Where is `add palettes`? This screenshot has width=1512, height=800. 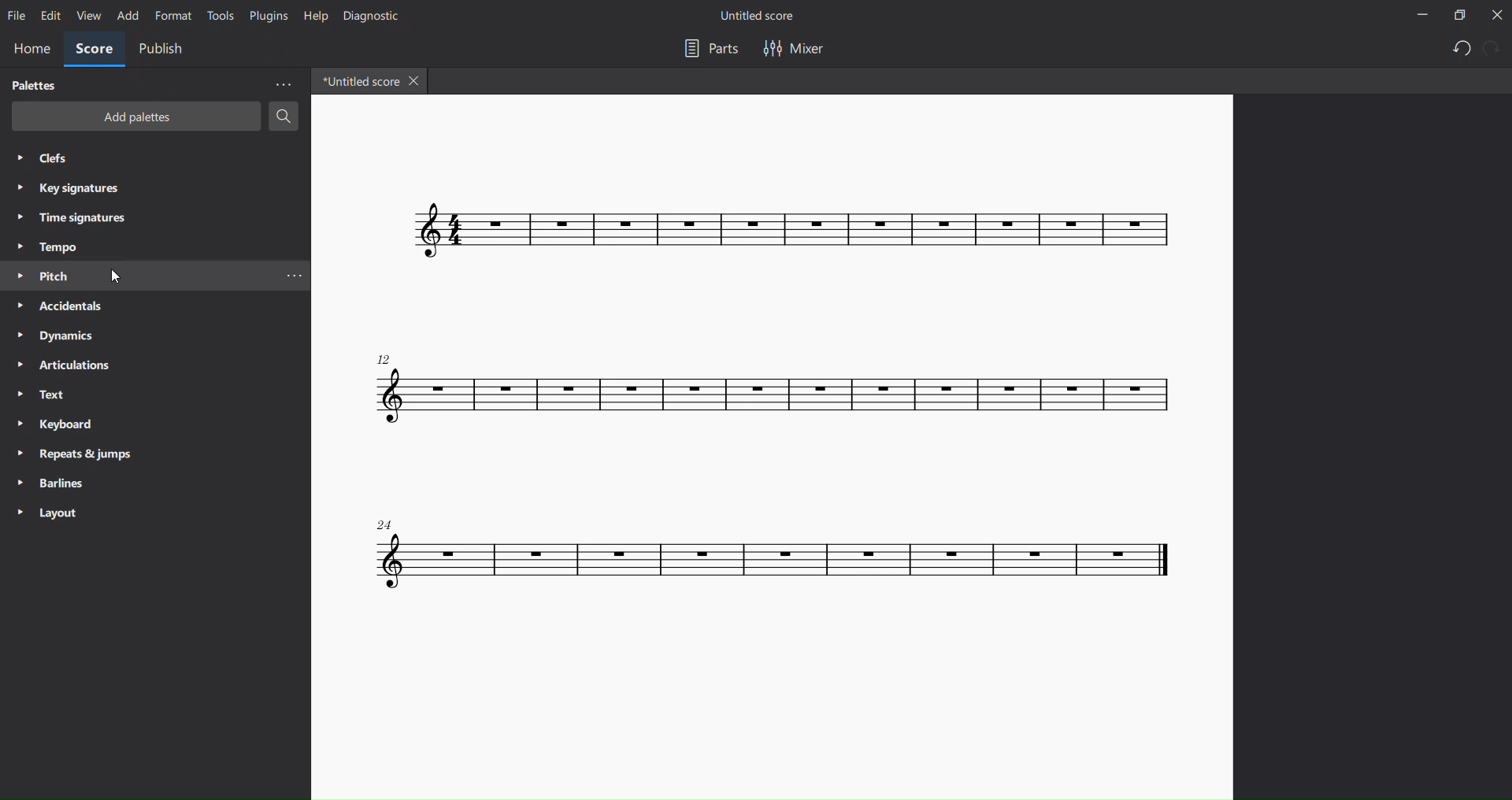
add palettes is located at coordinates (130, 117).